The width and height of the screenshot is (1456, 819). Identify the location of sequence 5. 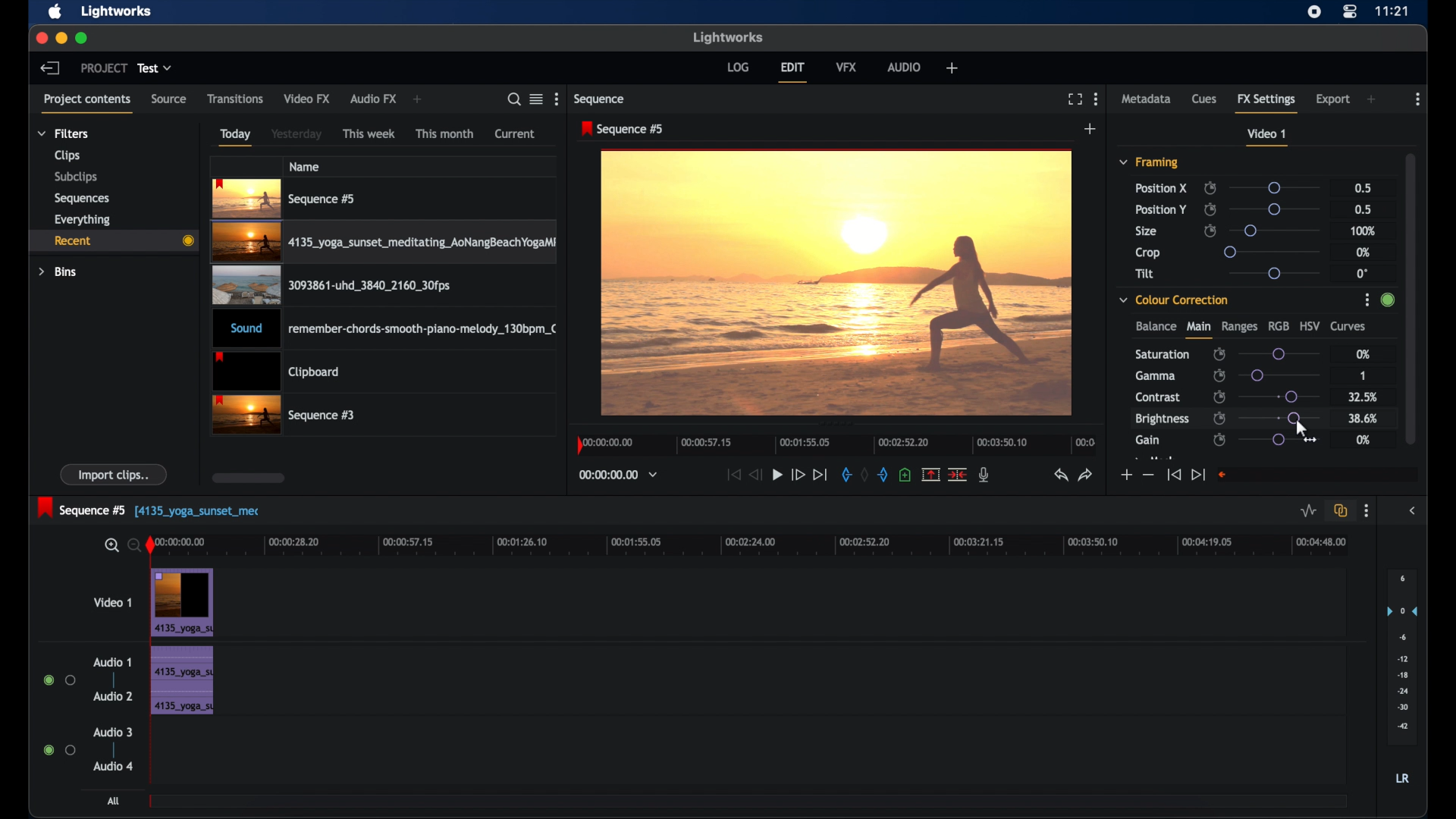
(149, 509).